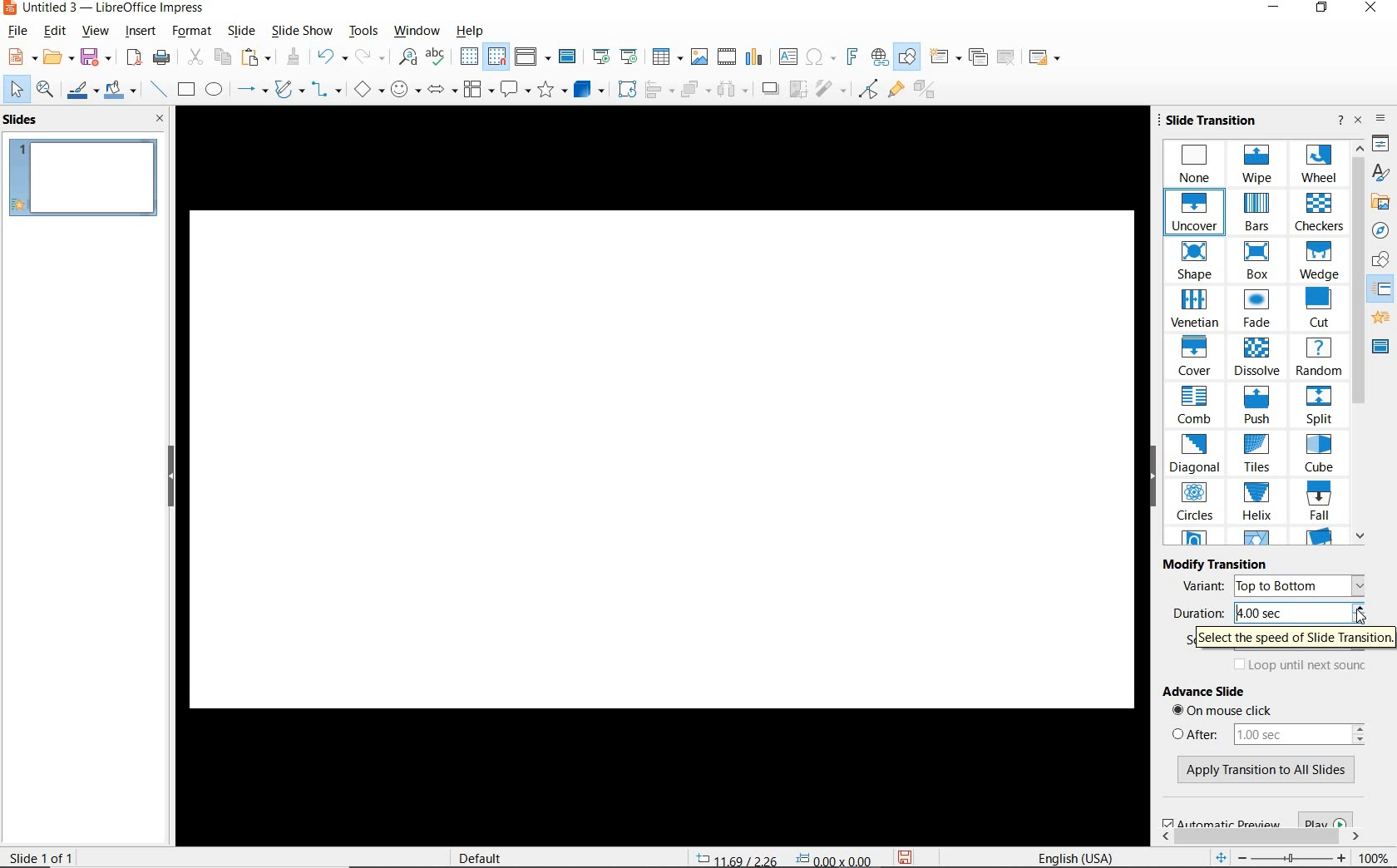 The width and height of the screenshot is (1397, 868). Describe the element at coordinates (140, 32) in the screenshot. I see `INSERT` at that location.